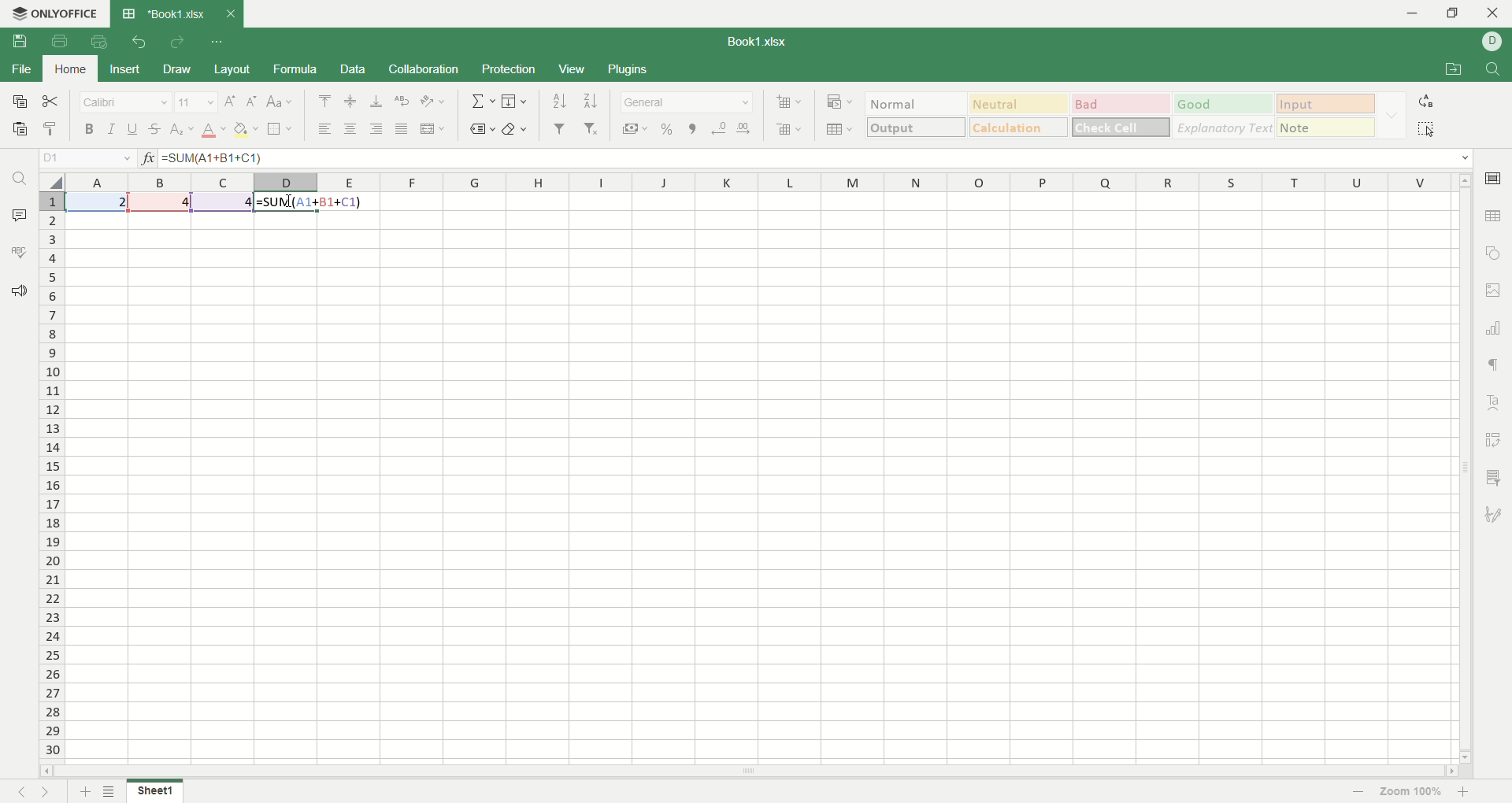 The height and width of the screenshot is (803, 1512). What do you see at coordinates (195, 102) in the screenshot?
I see `font size` at bounding box center [195, 102].